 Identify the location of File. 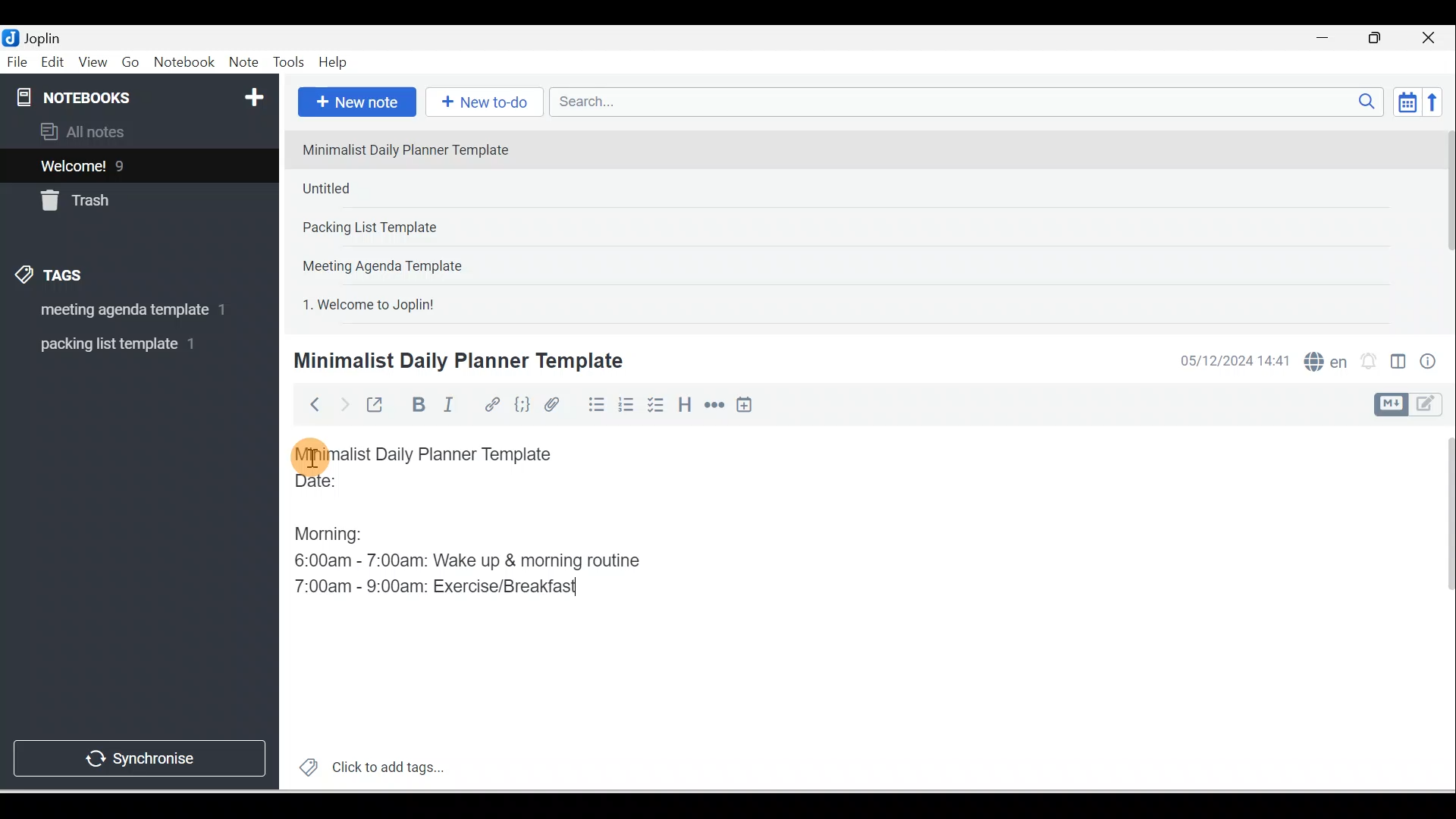
(18, 61).